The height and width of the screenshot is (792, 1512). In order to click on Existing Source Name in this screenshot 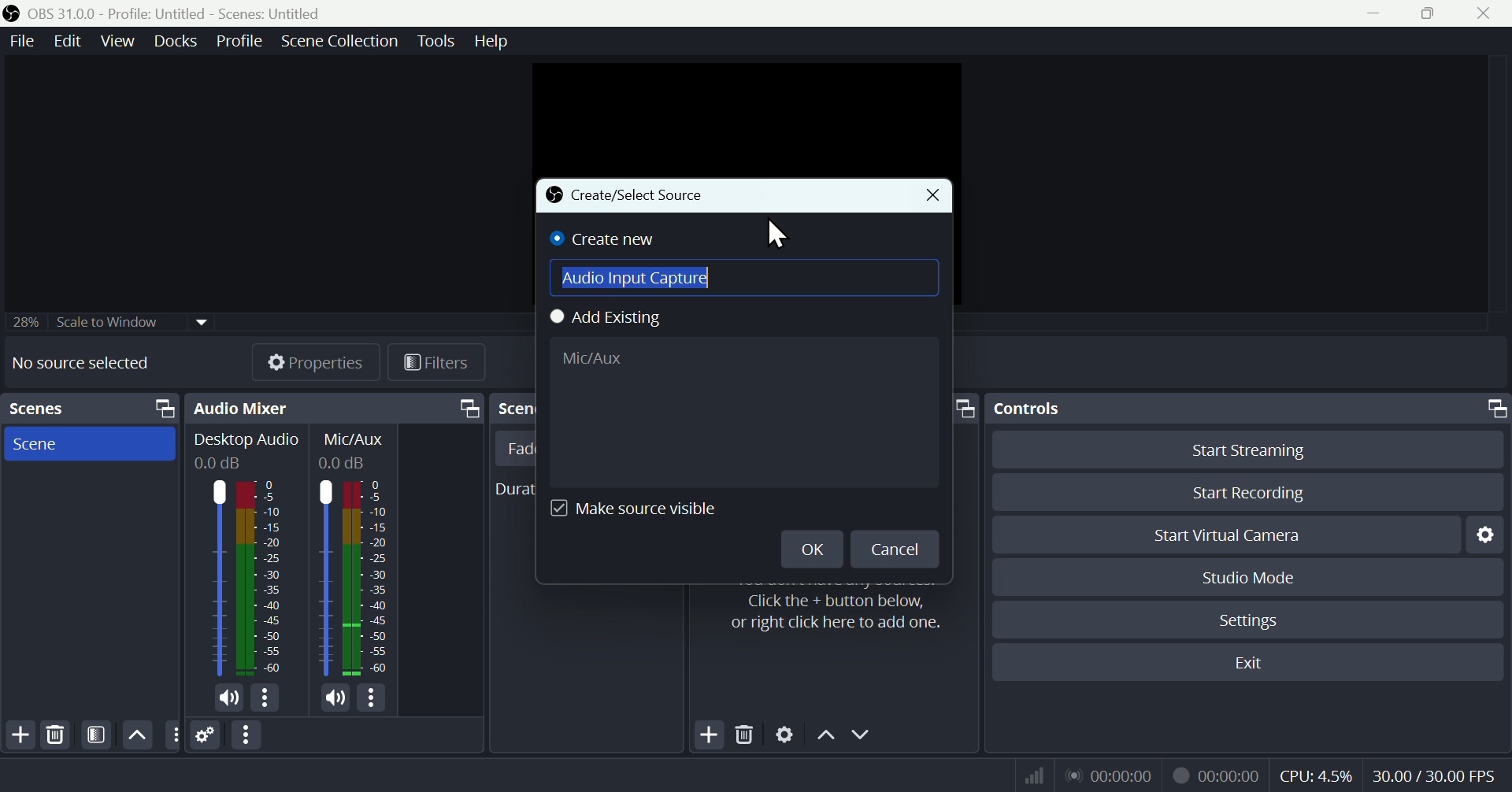, I will do `click(742, 412)`.